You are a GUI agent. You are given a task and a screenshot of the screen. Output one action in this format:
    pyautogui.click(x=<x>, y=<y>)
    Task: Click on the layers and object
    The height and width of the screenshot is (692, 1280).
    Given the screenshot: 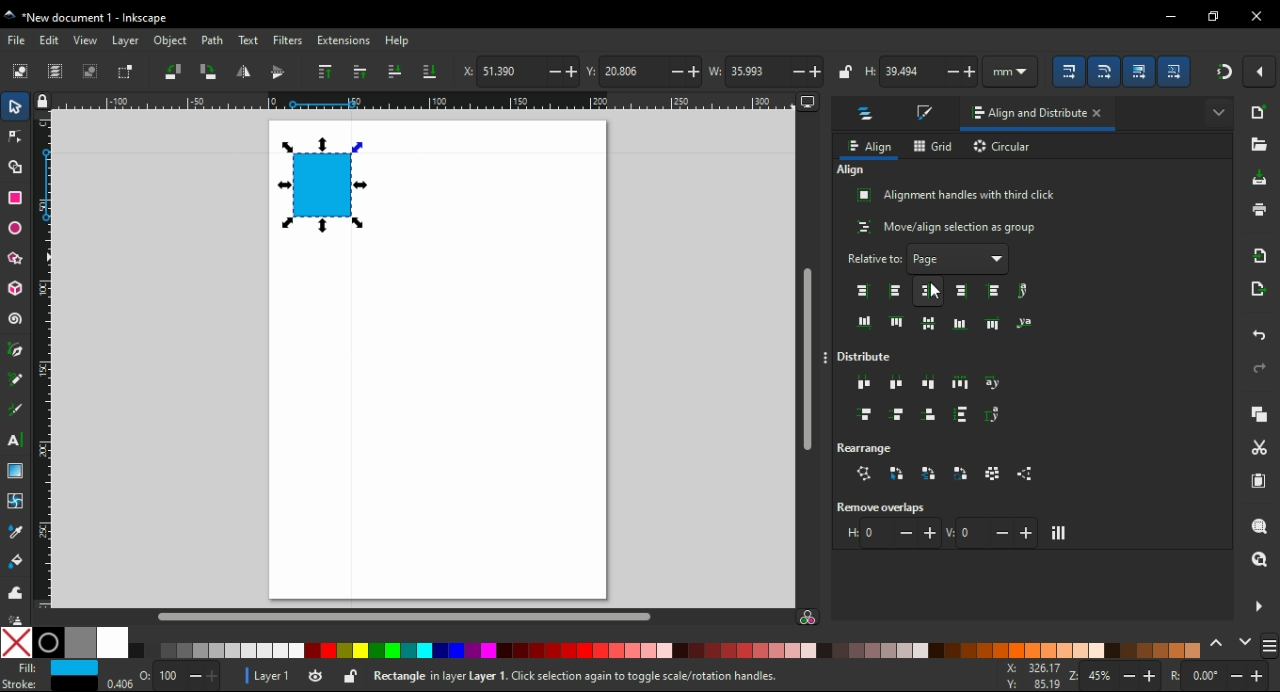 What is the action you would take?
    pyautogui.click(x=868, y=116)
    